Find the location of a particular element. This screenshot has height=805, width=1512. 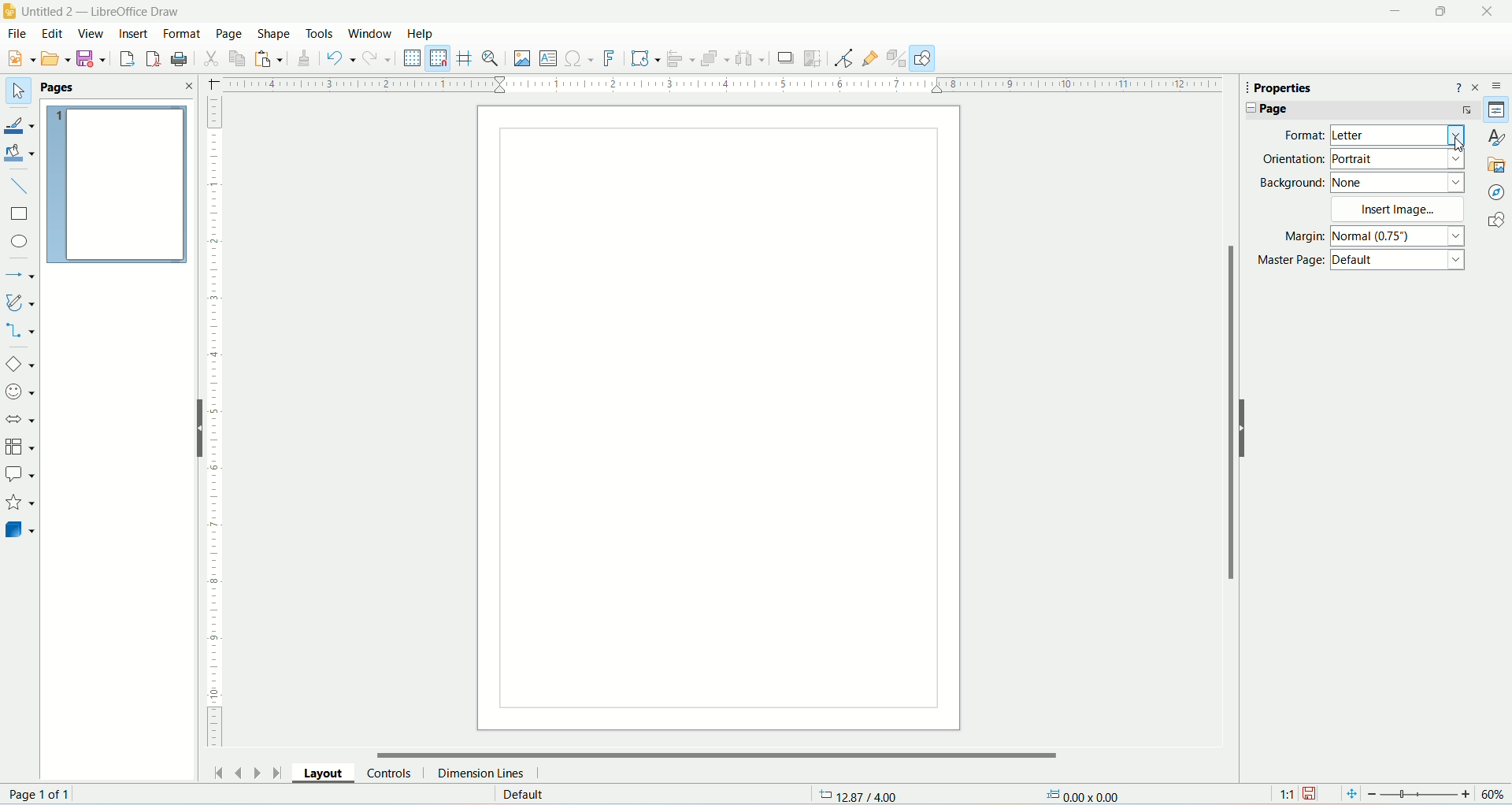

crop images is located at coordinates (786, 58).